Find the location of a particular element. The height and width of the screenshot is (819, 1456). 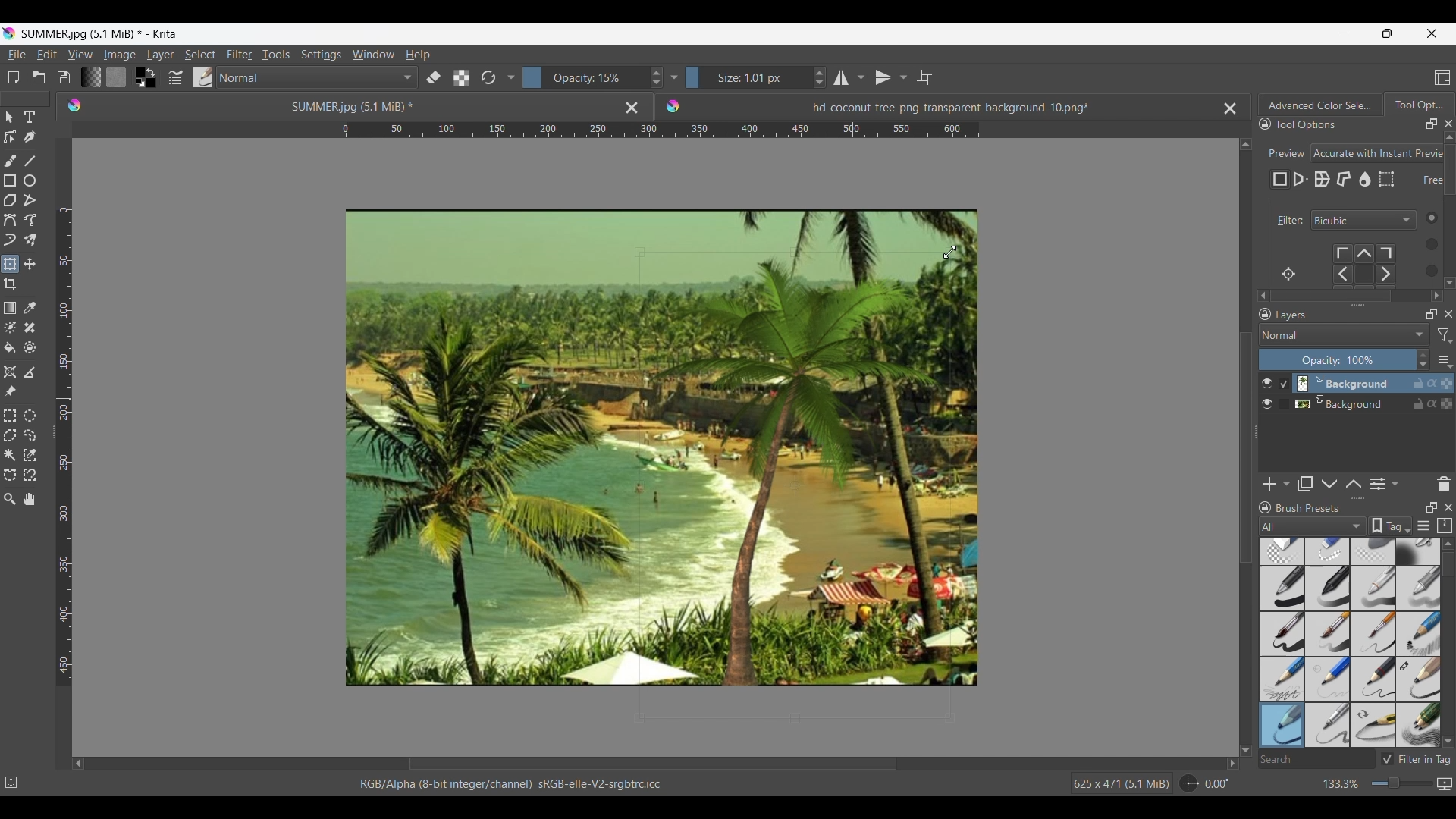

Measure the distance between two points is located at coordinates (30, 372).